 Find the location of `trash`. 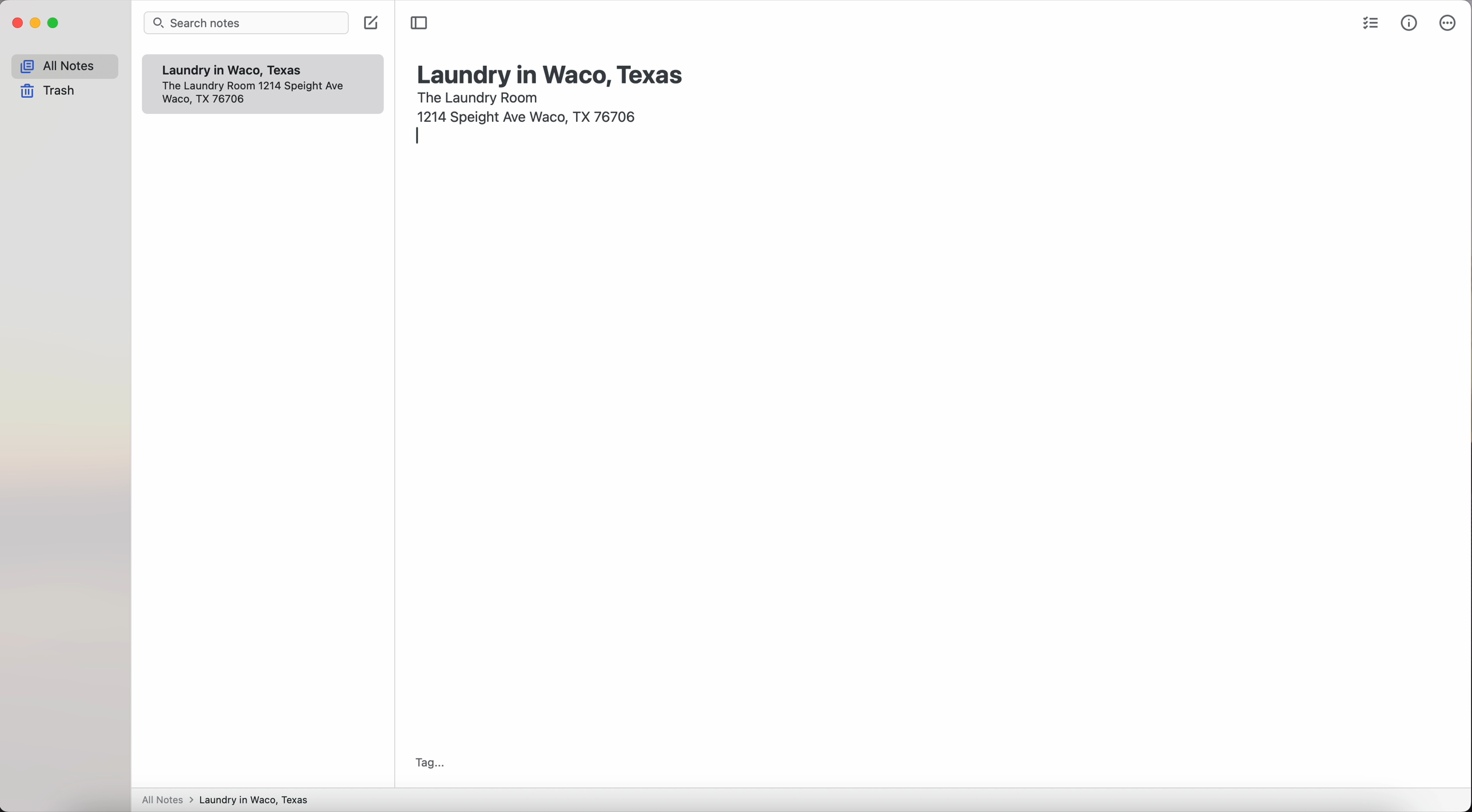

trash is located at coordinates (51, 92).